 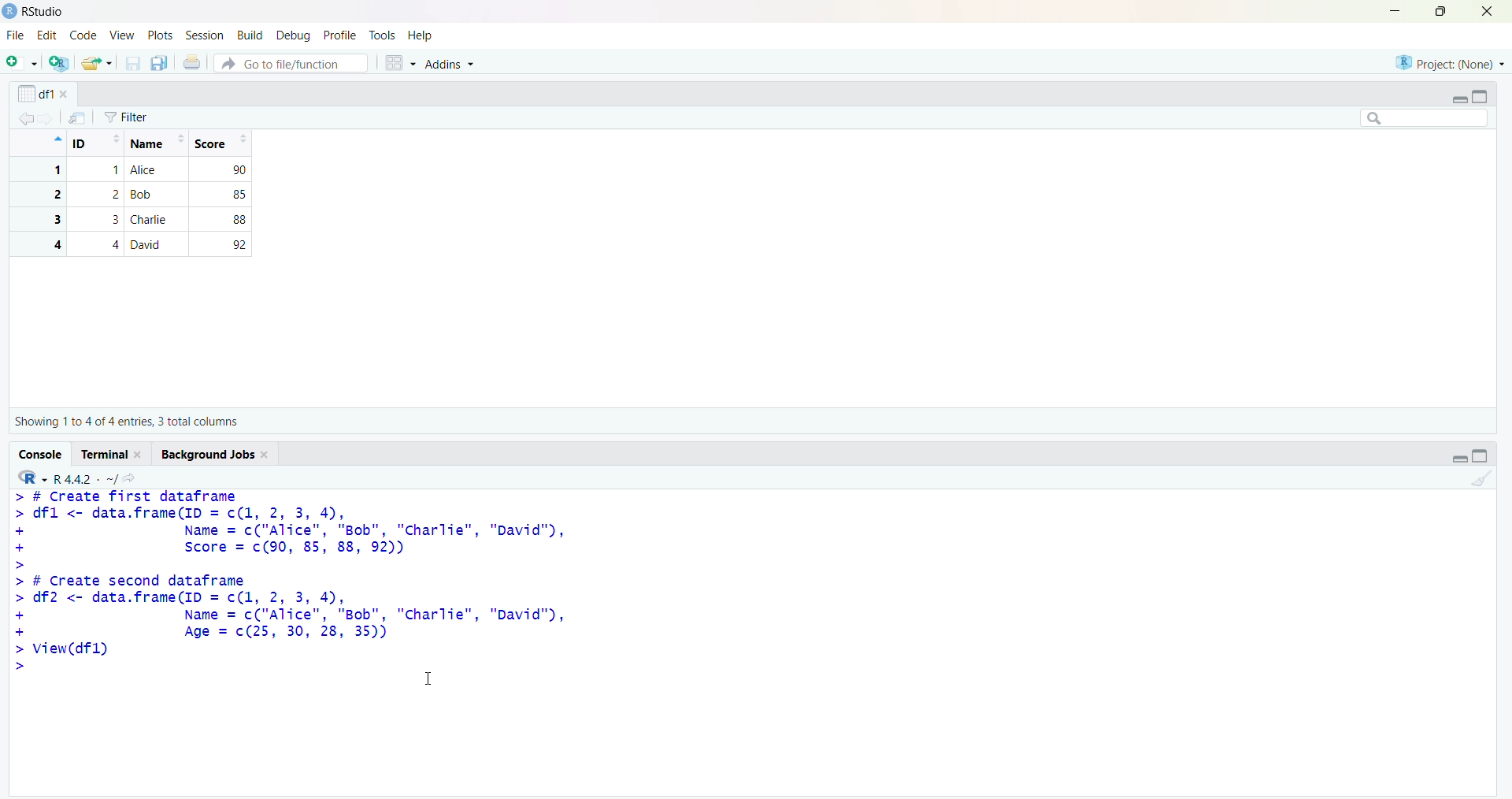 I want to click on Terminal, so click(x=106, y=454).